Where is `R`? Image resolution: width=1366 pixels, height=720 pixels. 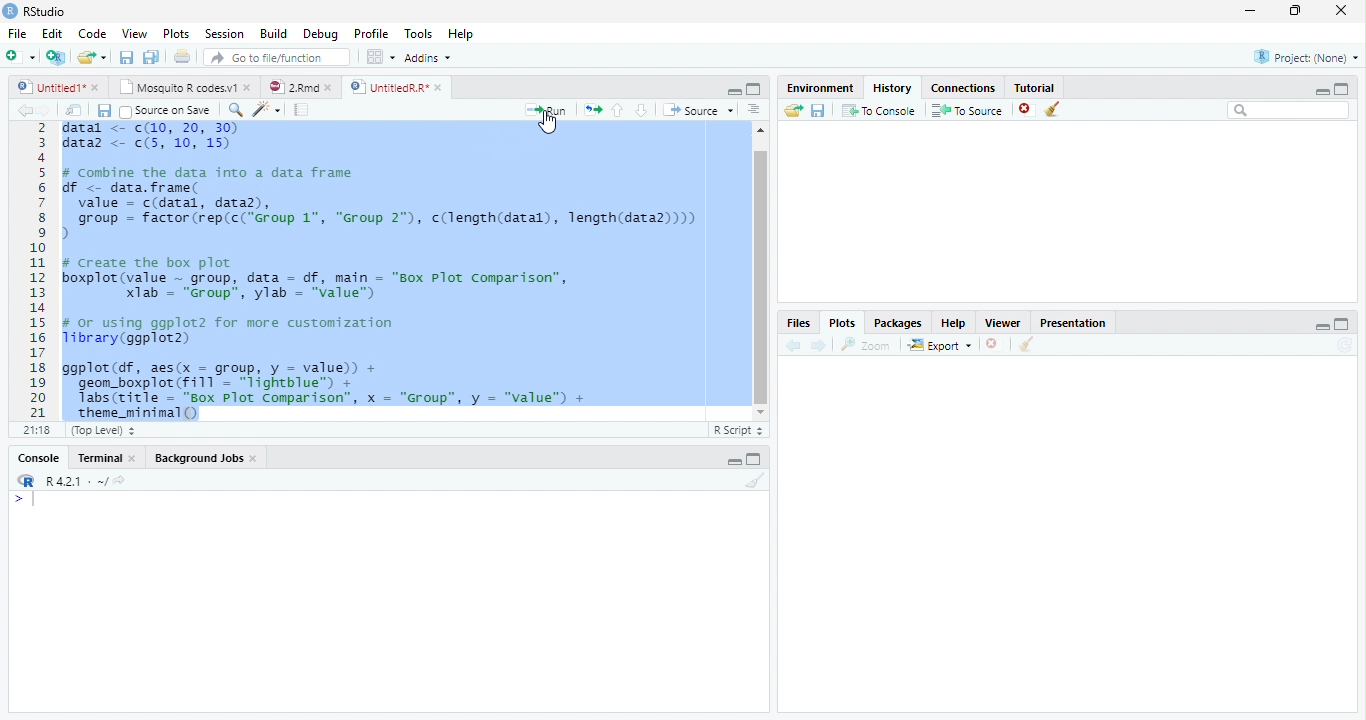
R is located at coordinates (26, 481).